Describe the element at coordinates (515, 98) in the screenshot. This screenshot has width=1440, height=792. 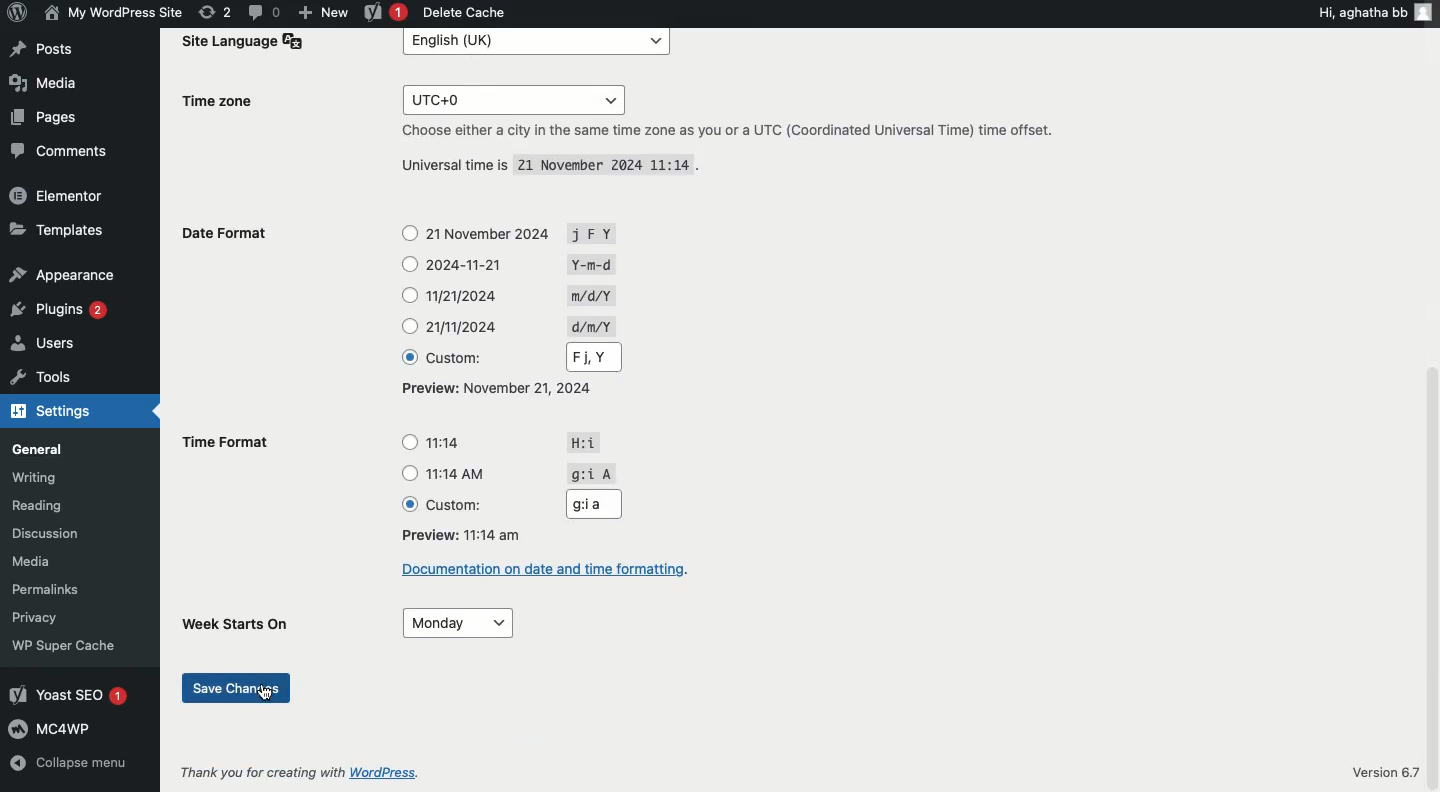
I see `uTC+0` at that location.